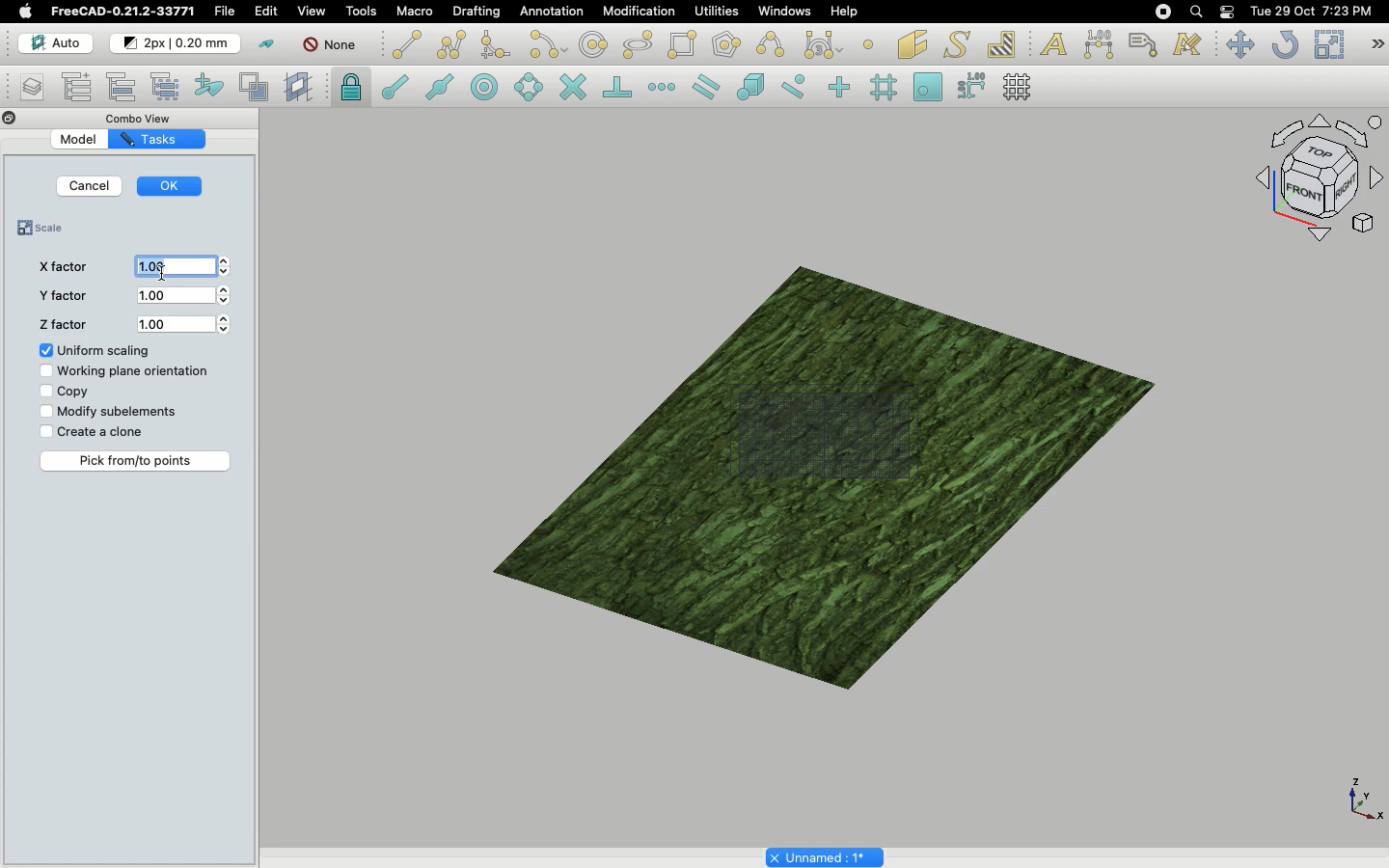 The image size is (1389, 868). What do you see at coordinates (416, 12) in the screenshot?
I see `Macro` at bounding box center [416, 12].